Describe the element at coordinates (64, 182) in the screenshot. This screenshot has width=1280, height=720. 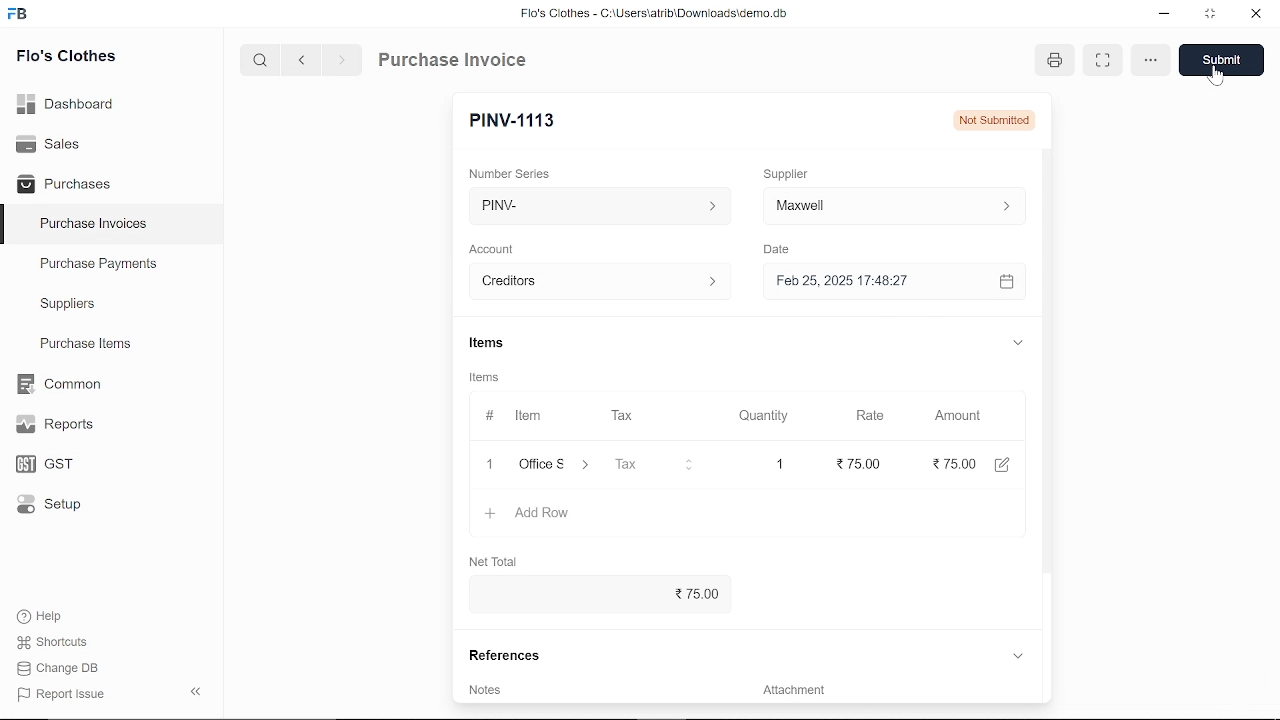
I see `Purchases` at that location.